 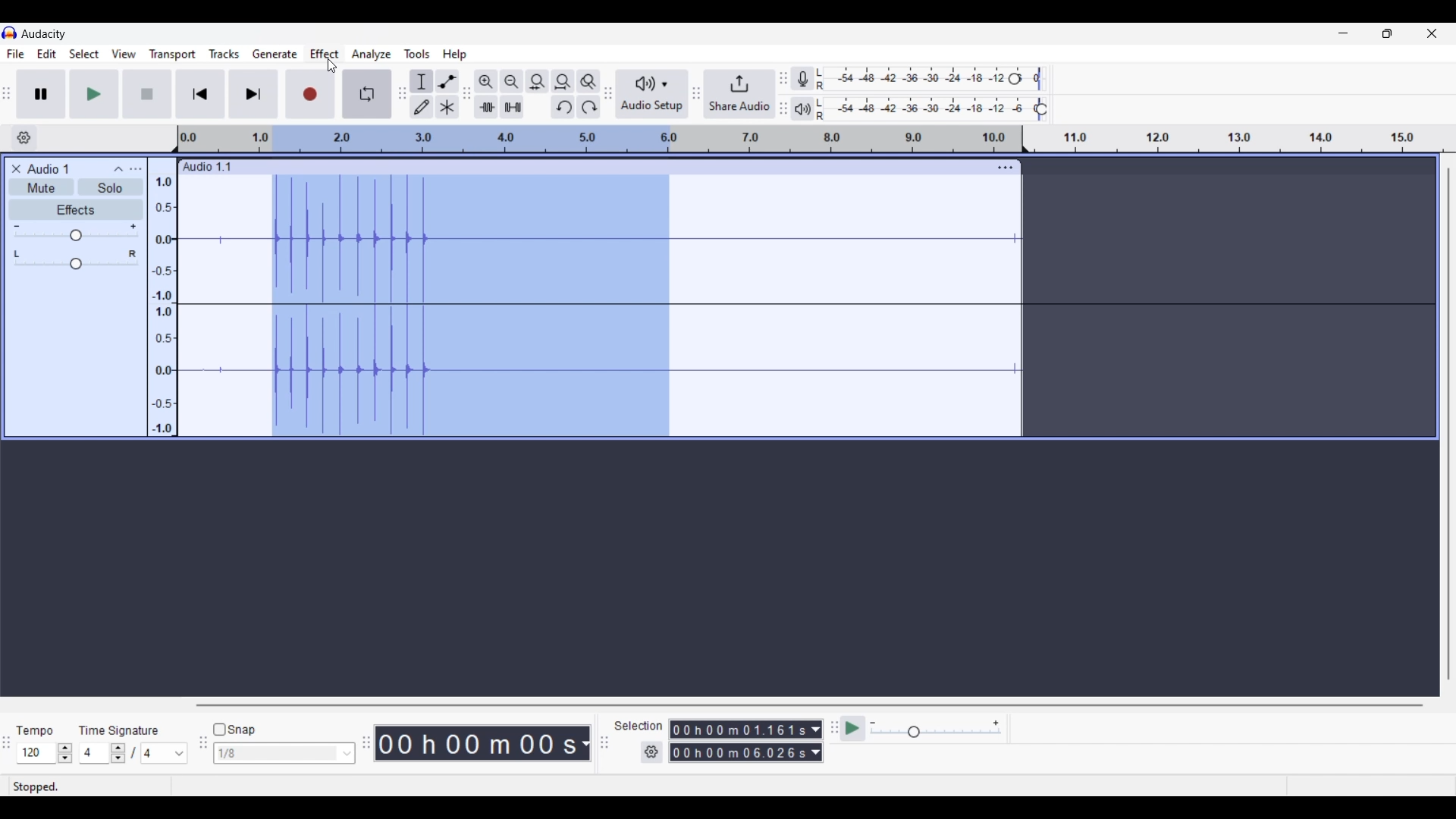 What do you see at coordinates (201, 93) in the screenshot?
I see `Skip/Select to start` at bounding box center [201, 93].